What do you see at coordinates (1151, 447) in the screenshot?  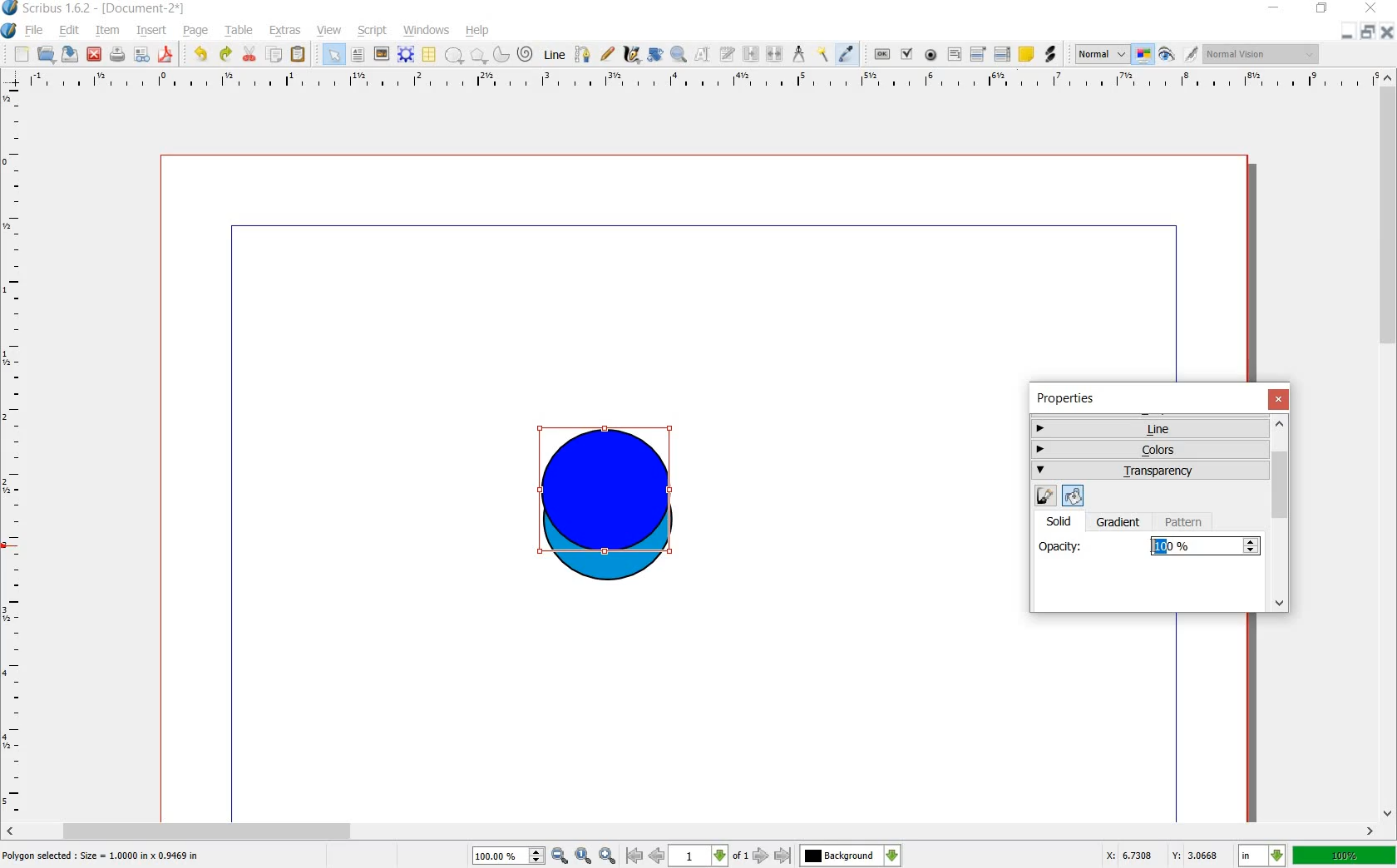 I see `colors` at bounding box center [1151, 447].